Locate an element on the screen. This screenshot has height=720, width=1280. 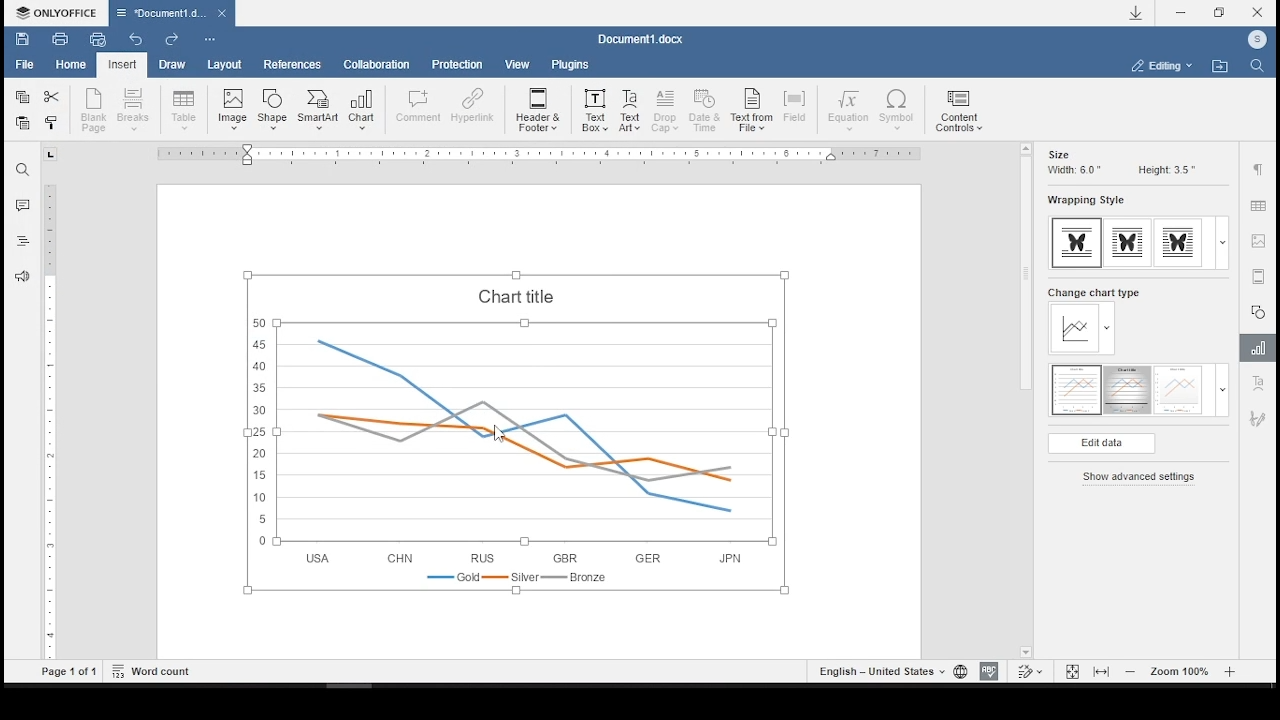
close window is located at coordinates (1258, 11).